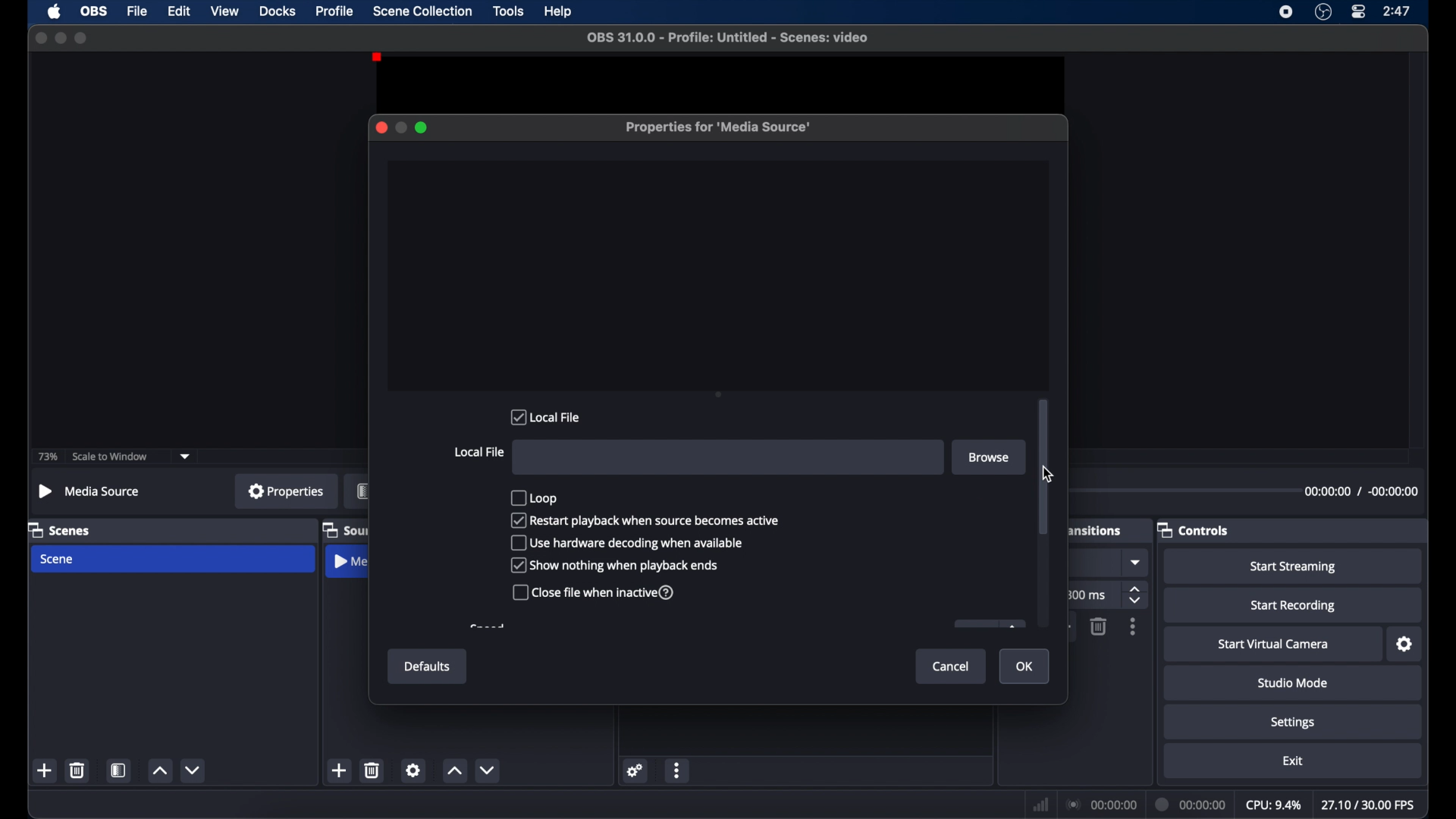 The height and width of the screenshot is (819, 1456). What do you see at coordinates (487, 626) in the screenshot?
I see `obscure text` at bounding box center [487, 626].